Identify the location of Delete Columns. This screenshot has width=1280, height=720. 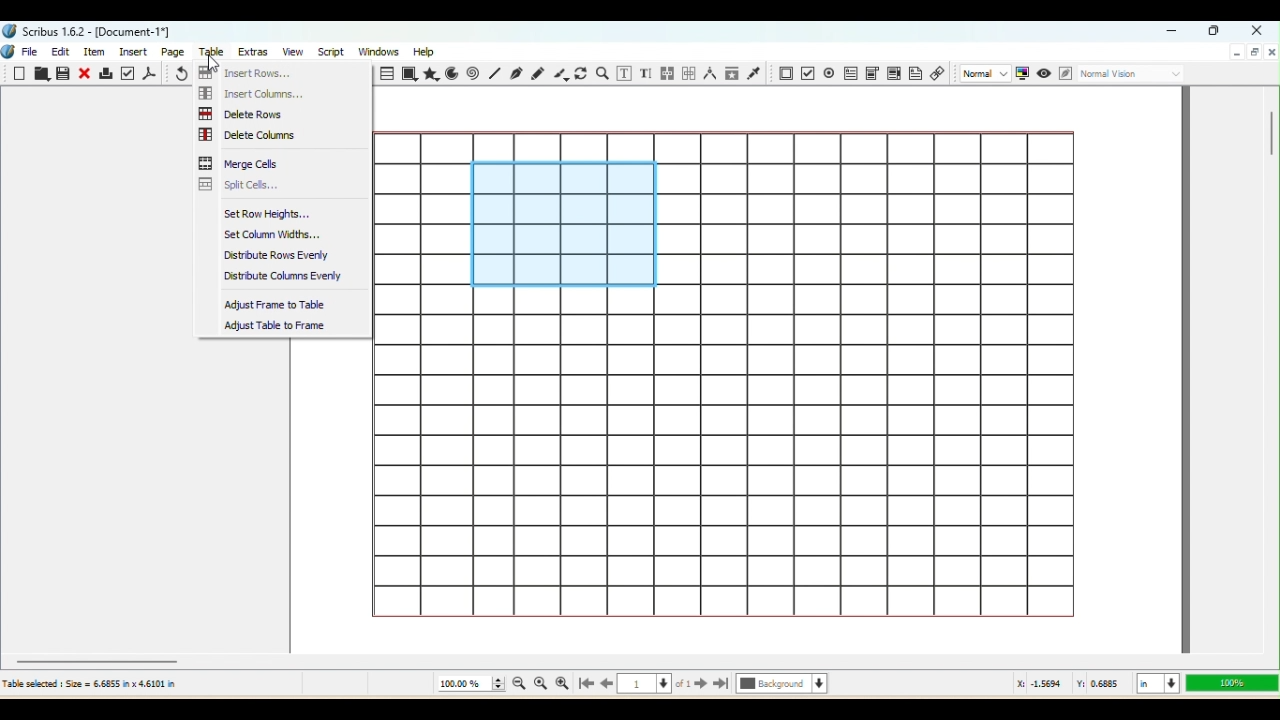
(257, 133).